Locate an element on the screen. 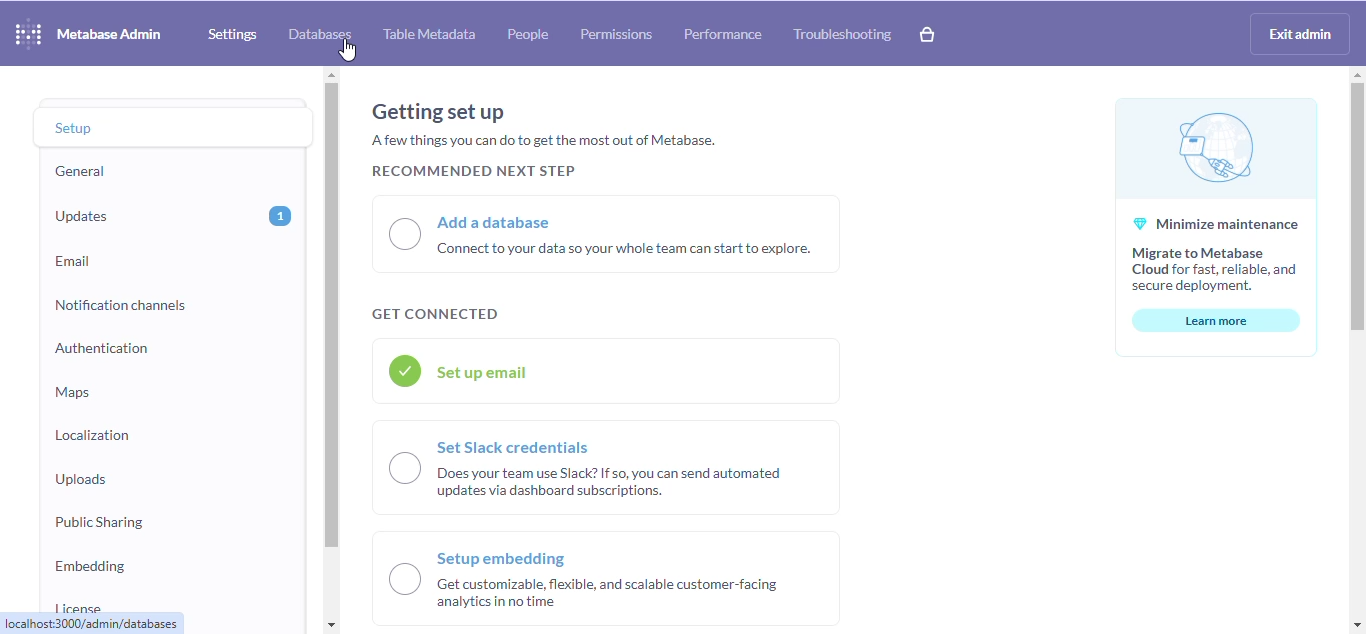 This screenshot has height=634, width=1366. recommended next step is located at coordinates (473, 169).